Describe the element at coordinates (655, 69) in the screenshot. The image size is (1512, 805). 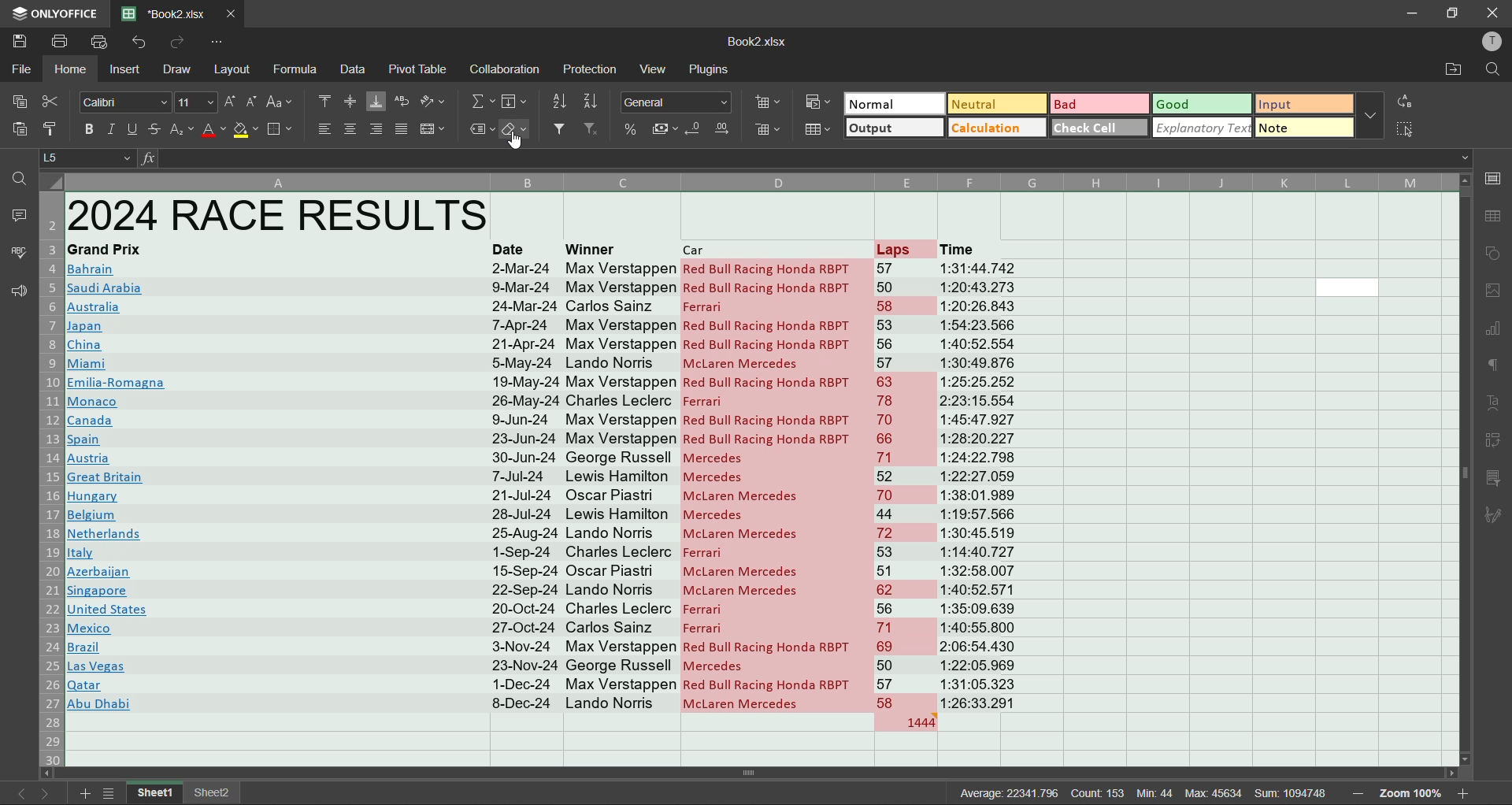
I see `view` at that location.